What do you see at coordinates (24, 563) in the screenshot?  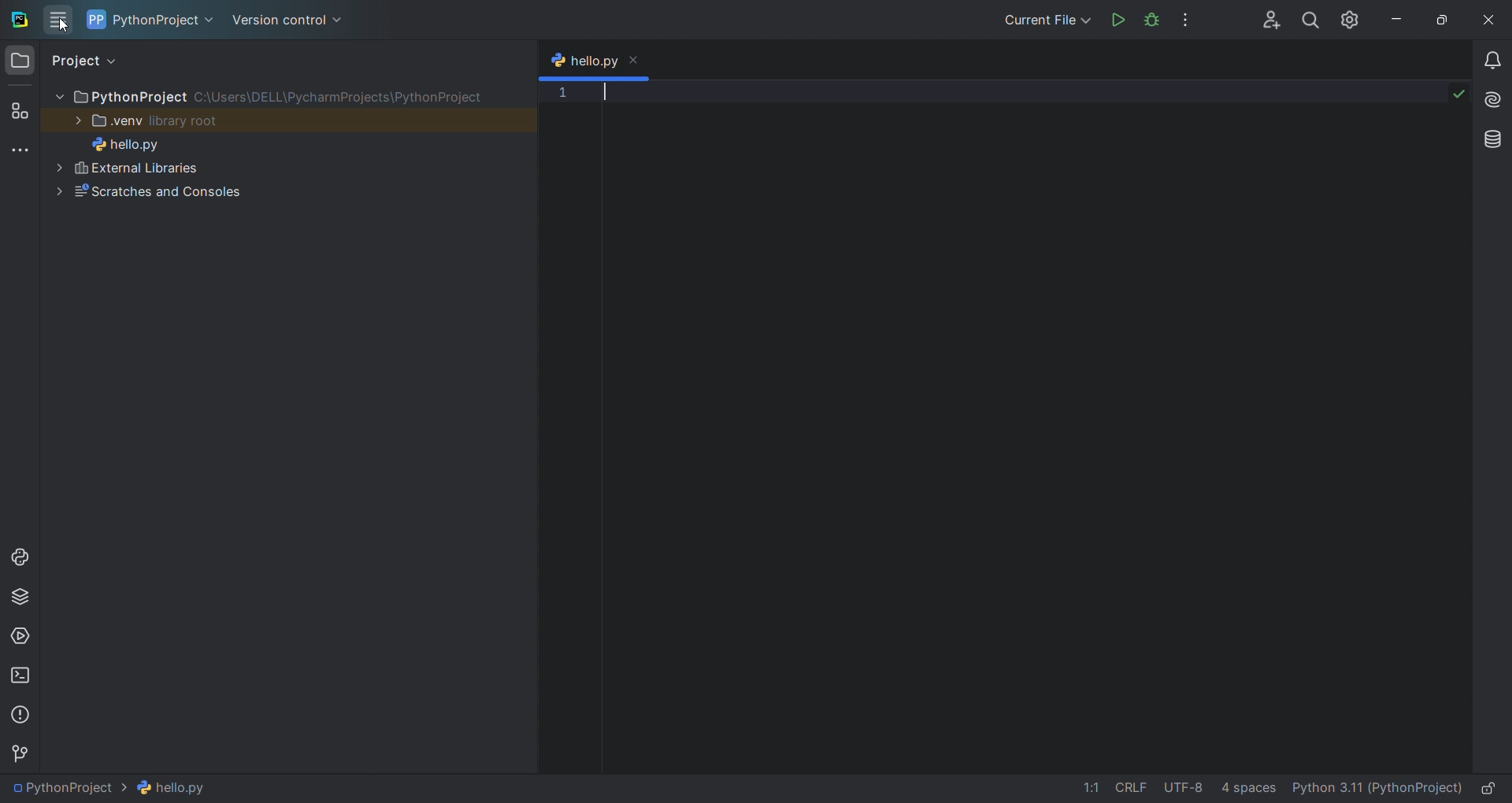 I see `python console` at bounding box center [24, 563].